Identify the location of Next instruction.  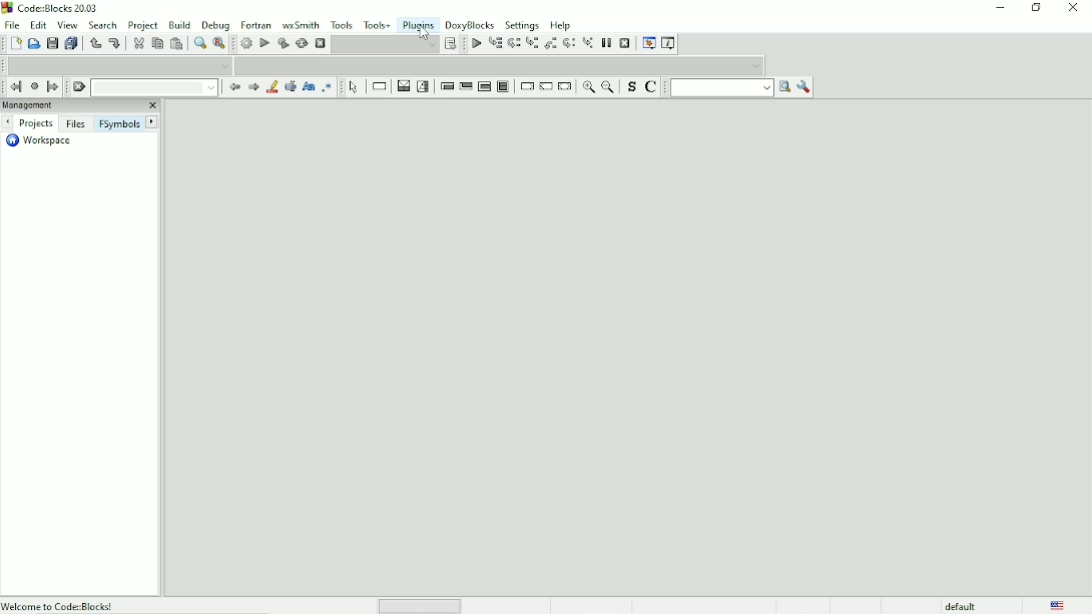
(570, 44).